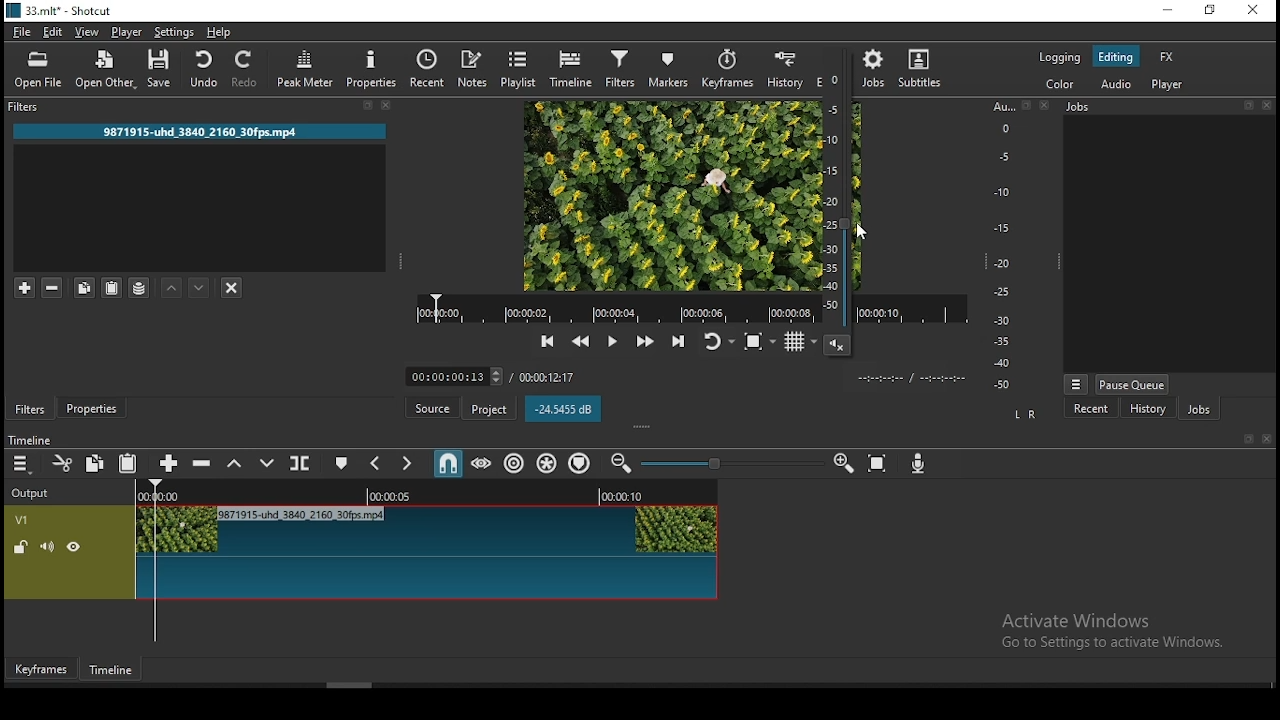  I want to click on close, so click(389, 106).